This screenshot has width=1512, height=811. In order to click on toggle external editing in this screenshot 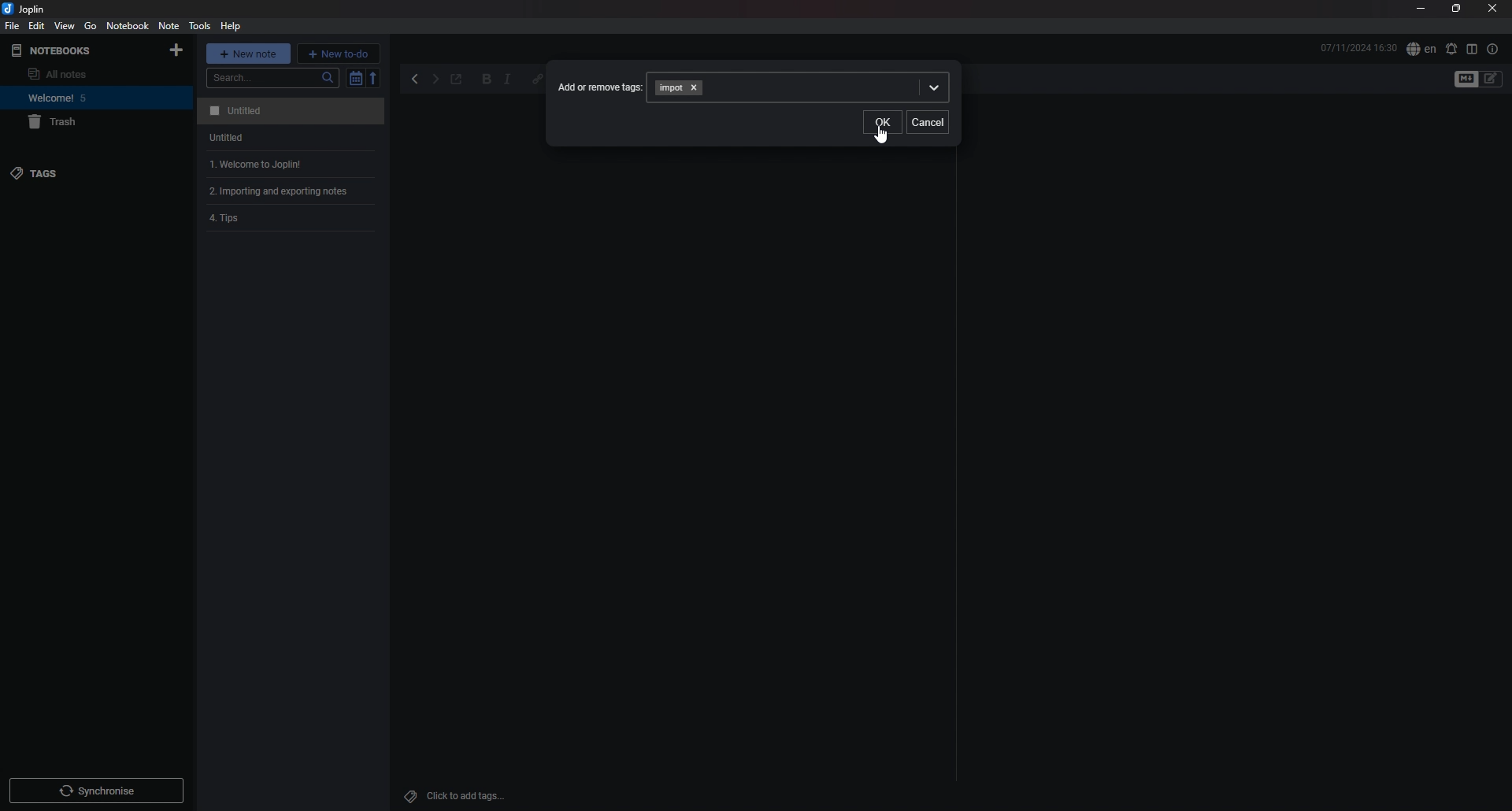, I will do `click(457, 80)`.